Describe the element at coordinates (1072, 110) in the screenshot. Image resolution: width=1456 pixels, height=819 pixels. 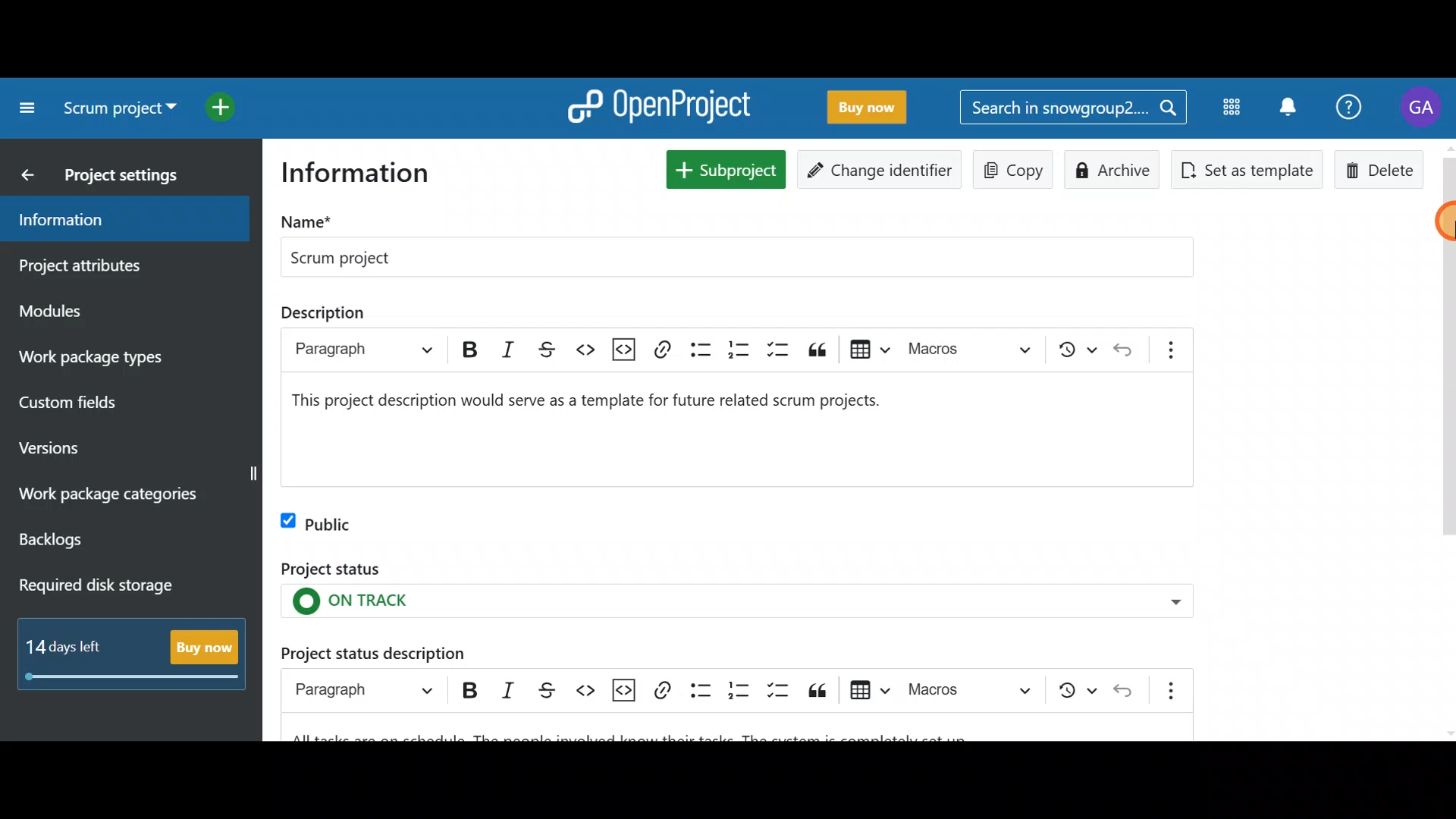
I see `Search bar` at that location.